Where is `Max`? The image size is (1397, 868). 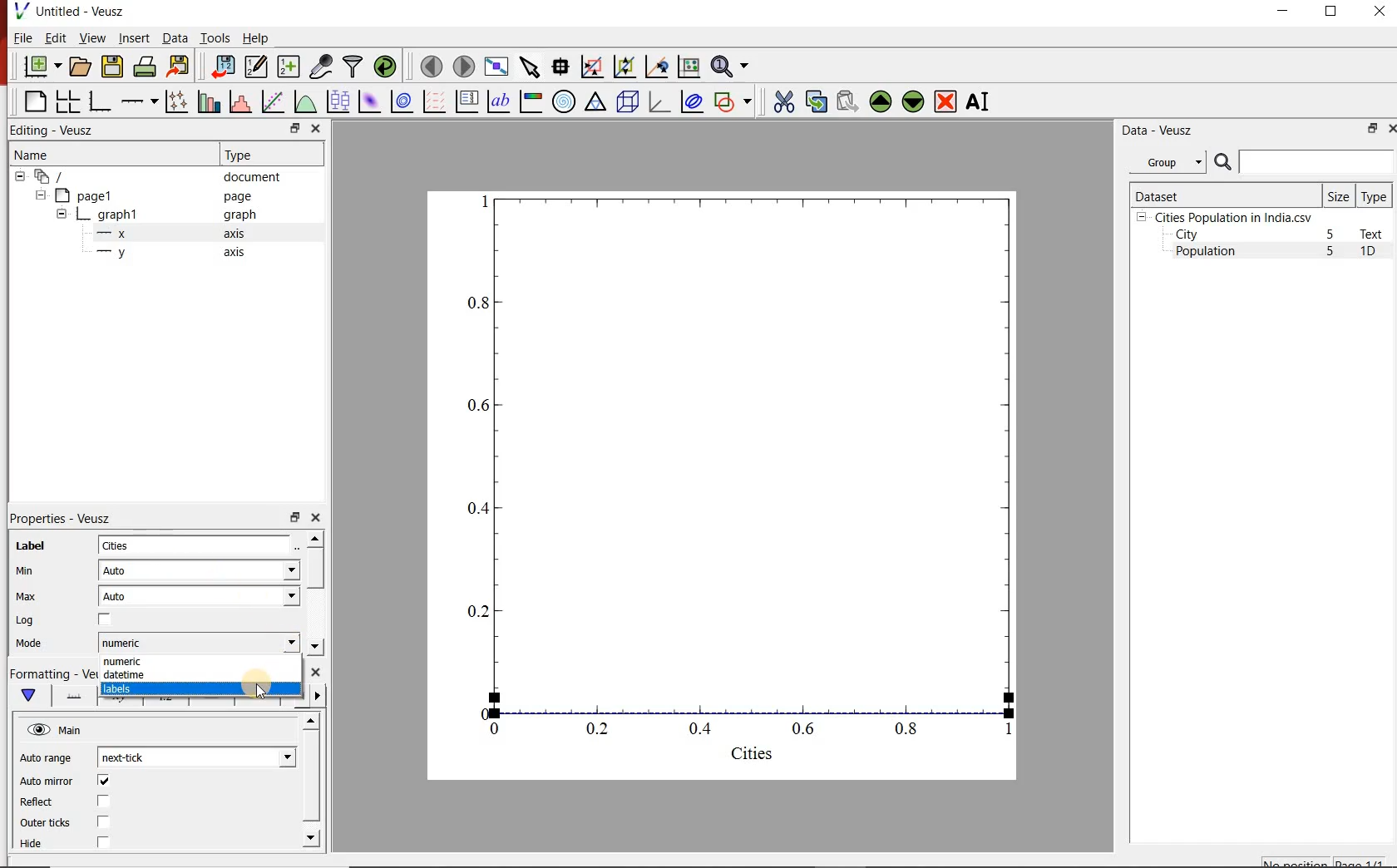 Max is located at coordinates (25, 596).